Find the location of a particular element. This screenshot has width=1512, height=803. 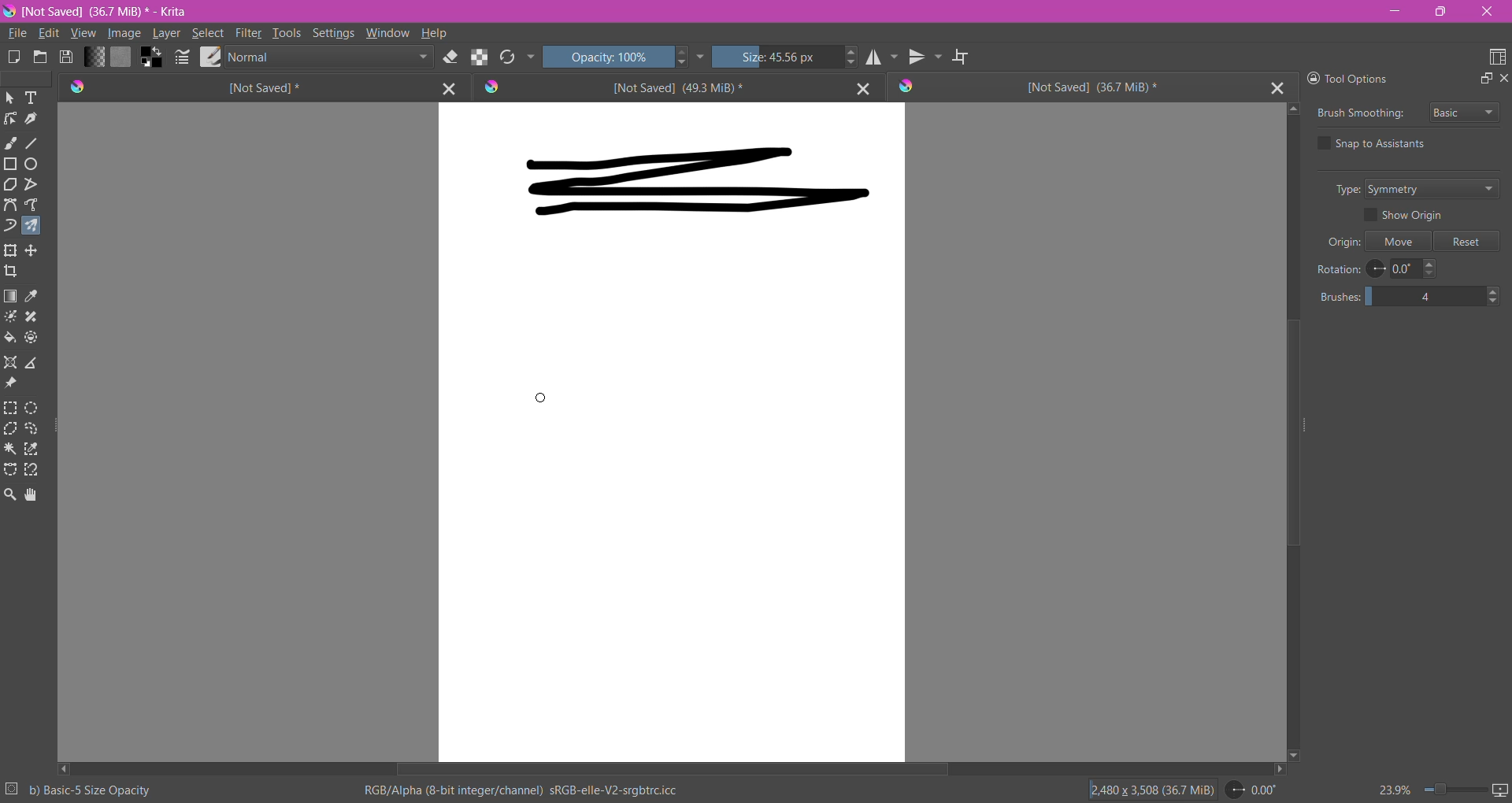

Unsaved Document Tab2 is located at coordinates (652, 87).